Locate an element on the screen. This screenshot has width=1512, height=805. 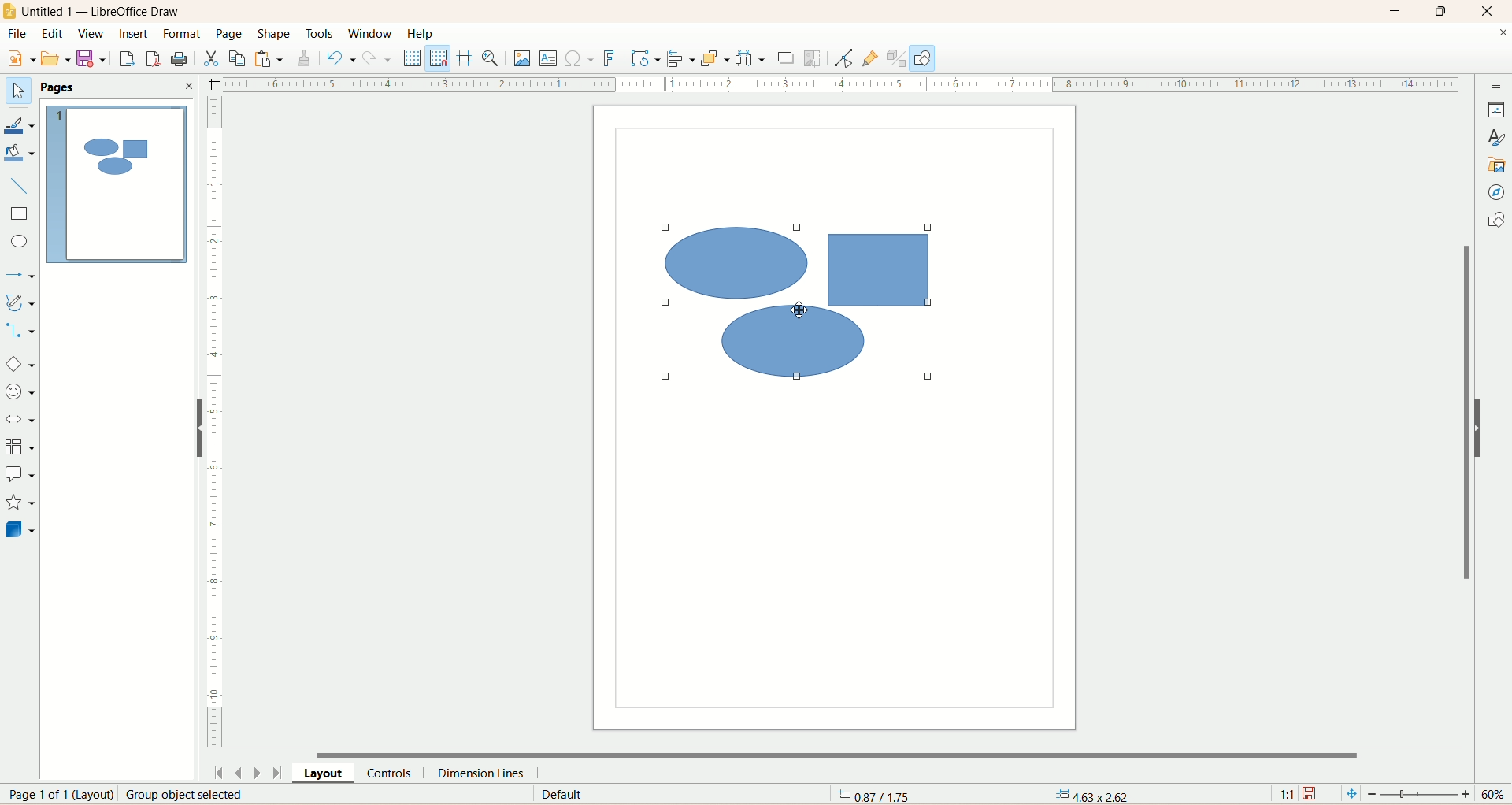
undo is located at coordinates (339, 58).